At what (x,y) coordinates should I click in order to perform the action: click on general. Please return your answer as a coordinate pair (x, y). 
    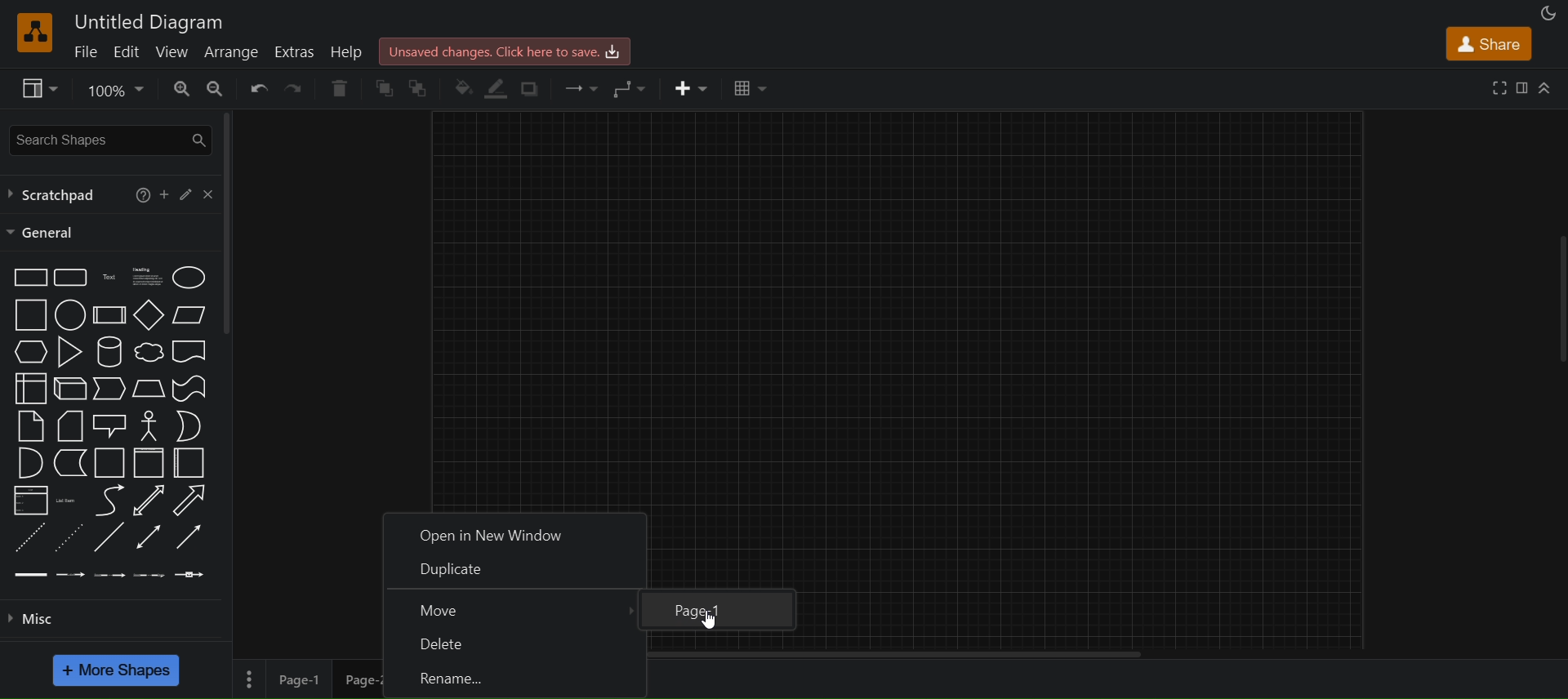
    Looking at the image, I should click on (42, 232).